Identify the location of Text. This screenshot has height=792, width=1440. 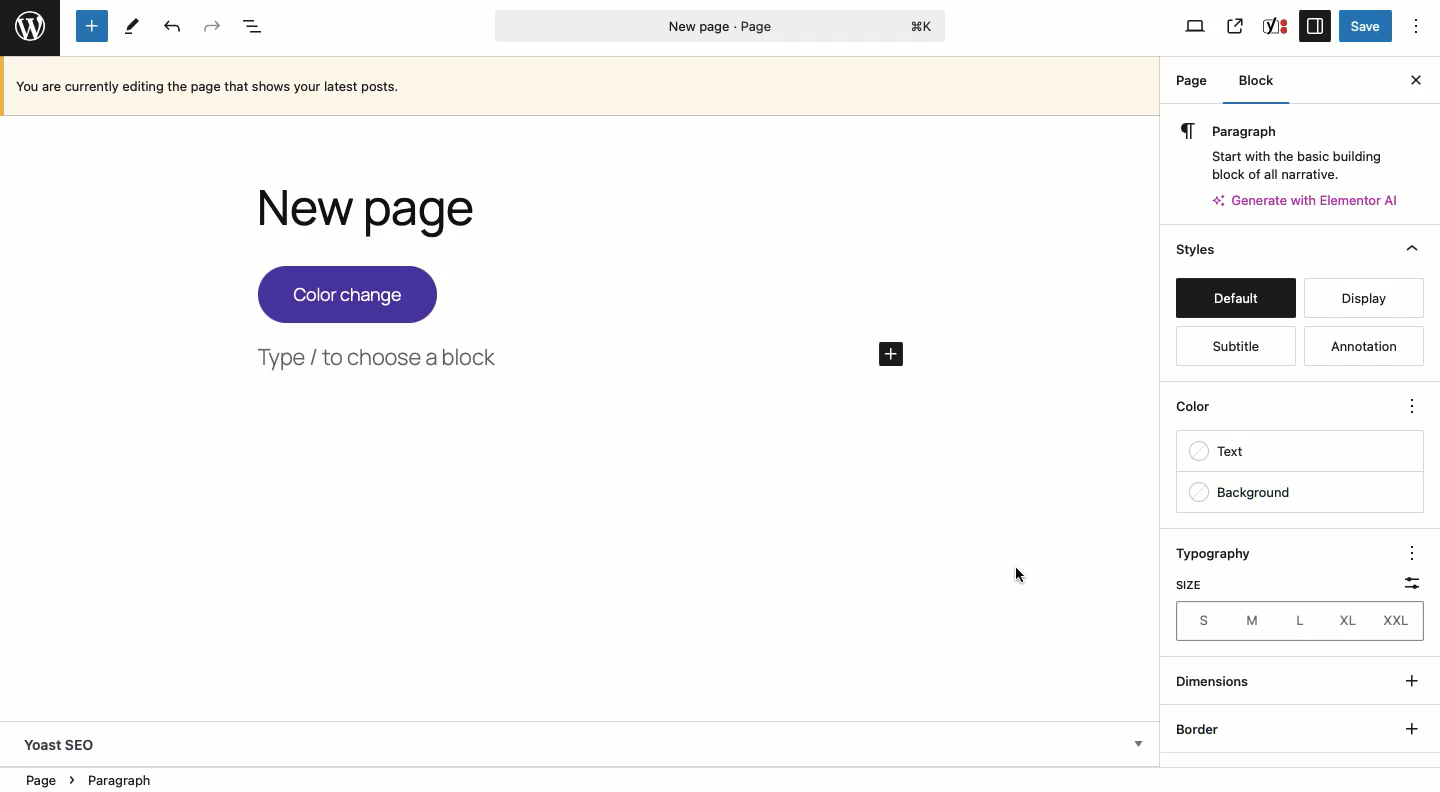
(1299, 451).